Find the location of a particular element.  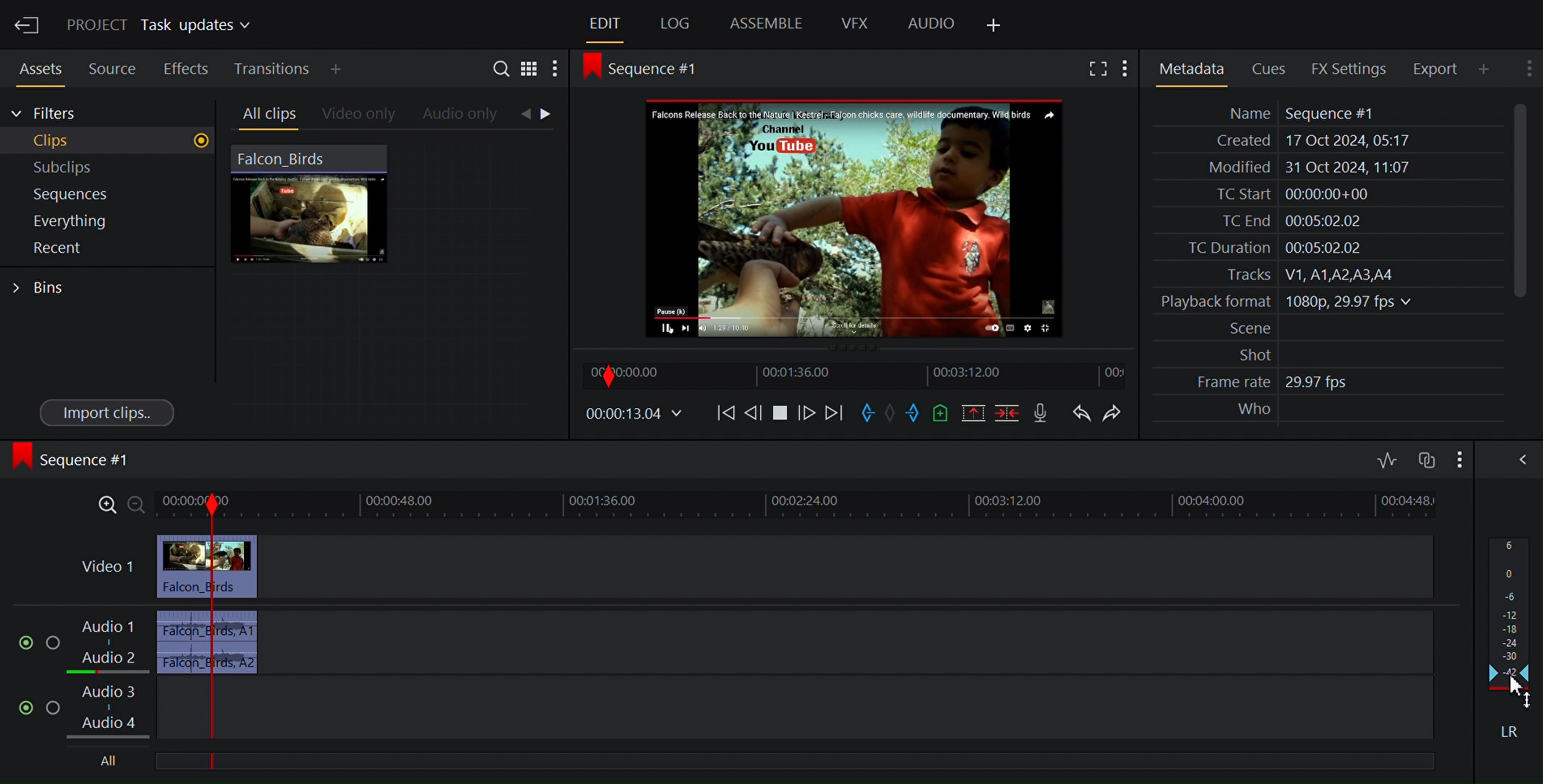

Scene is located at coordinates (1242, 329).